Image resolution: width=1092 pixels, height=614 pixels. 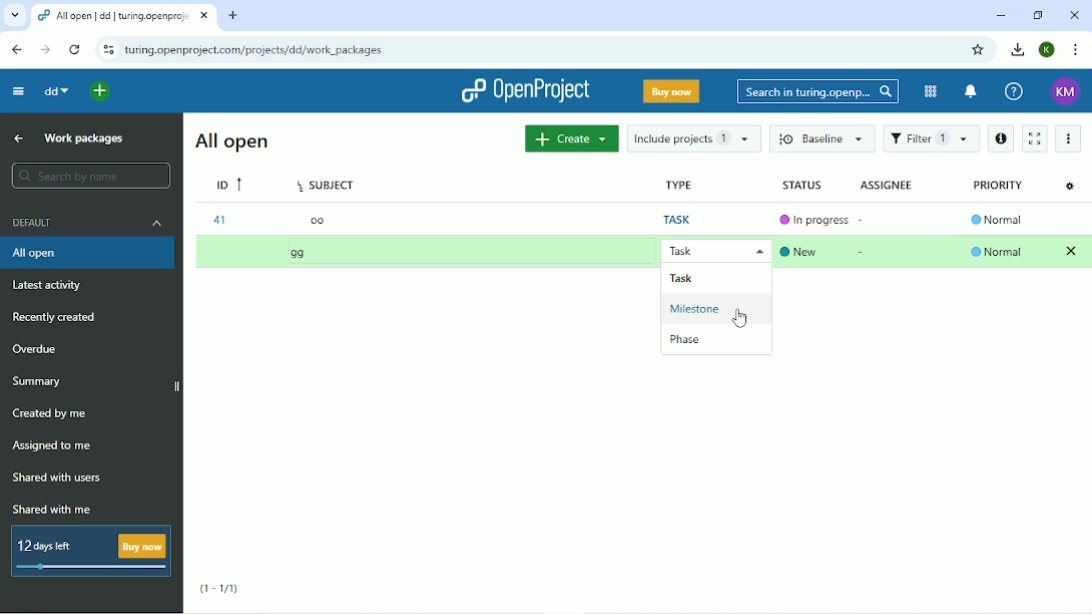 What do you see at coordinates (1064, 91) in the screenshot?
I see `KM` at bounding box center [1064, 91].